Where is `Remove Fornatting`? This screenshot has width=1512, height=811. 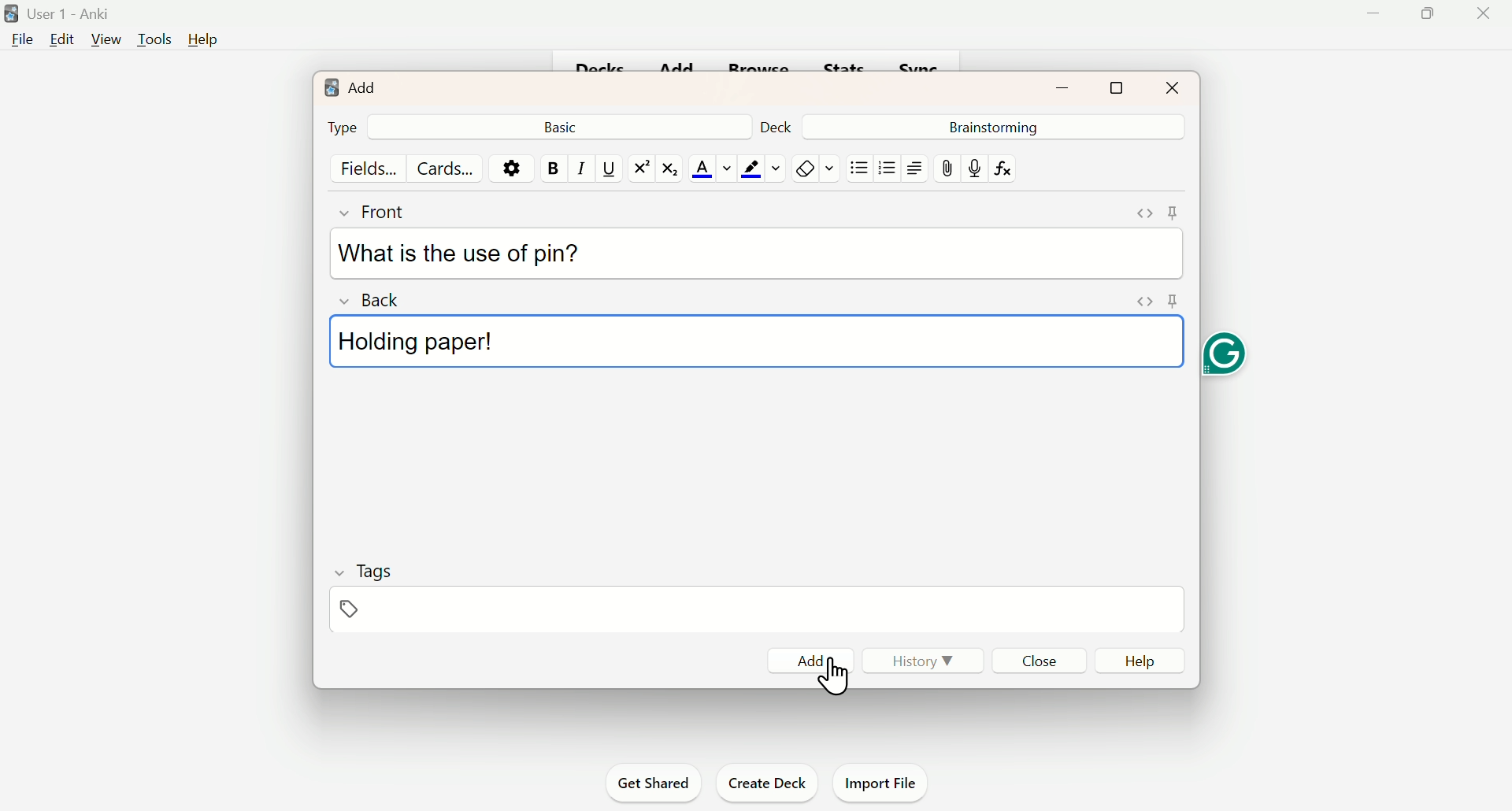 Remove Fornatting is located at coordinates (803, 168).